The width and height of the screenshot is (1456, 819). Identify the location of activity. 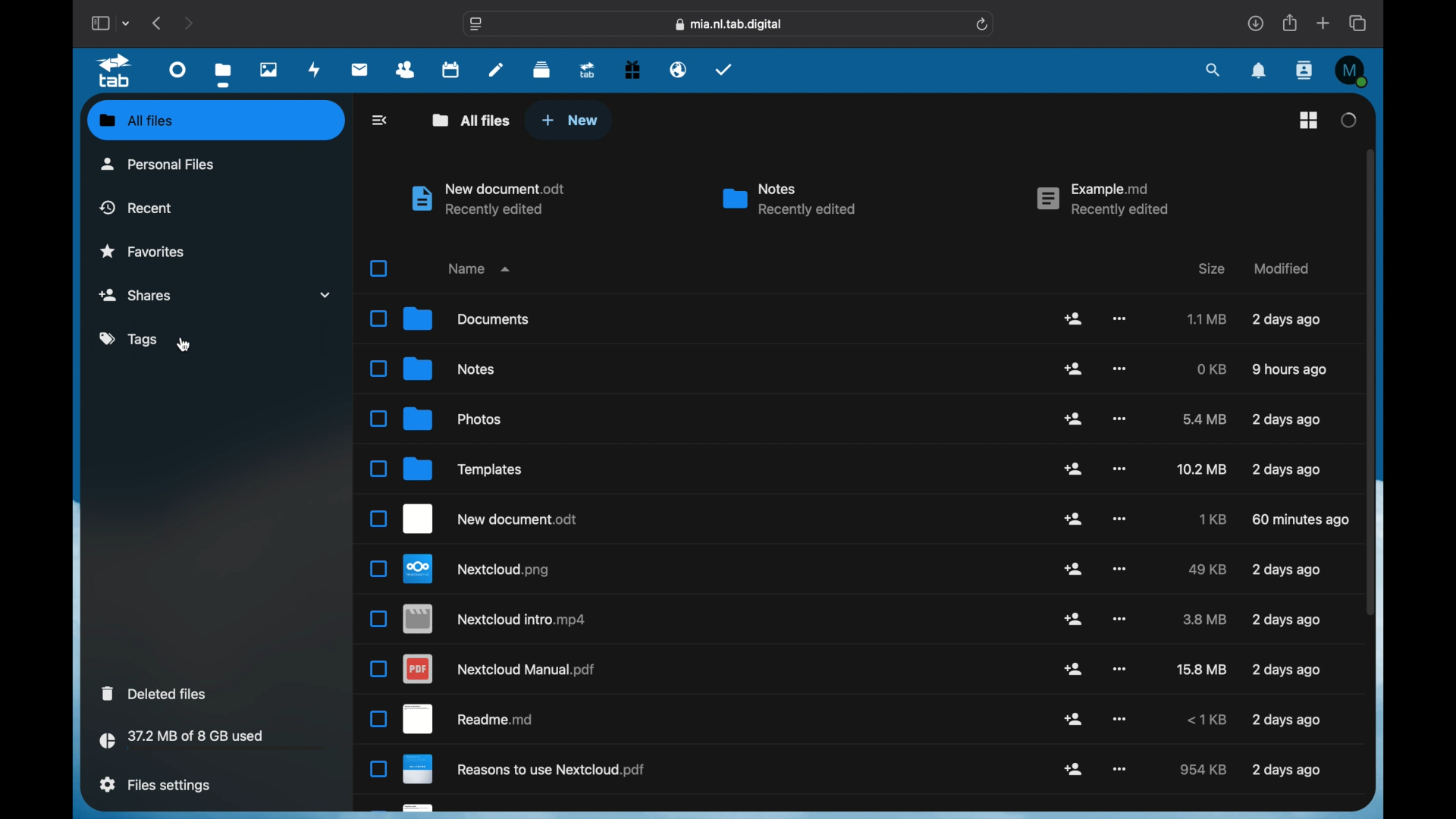
(315, 70).